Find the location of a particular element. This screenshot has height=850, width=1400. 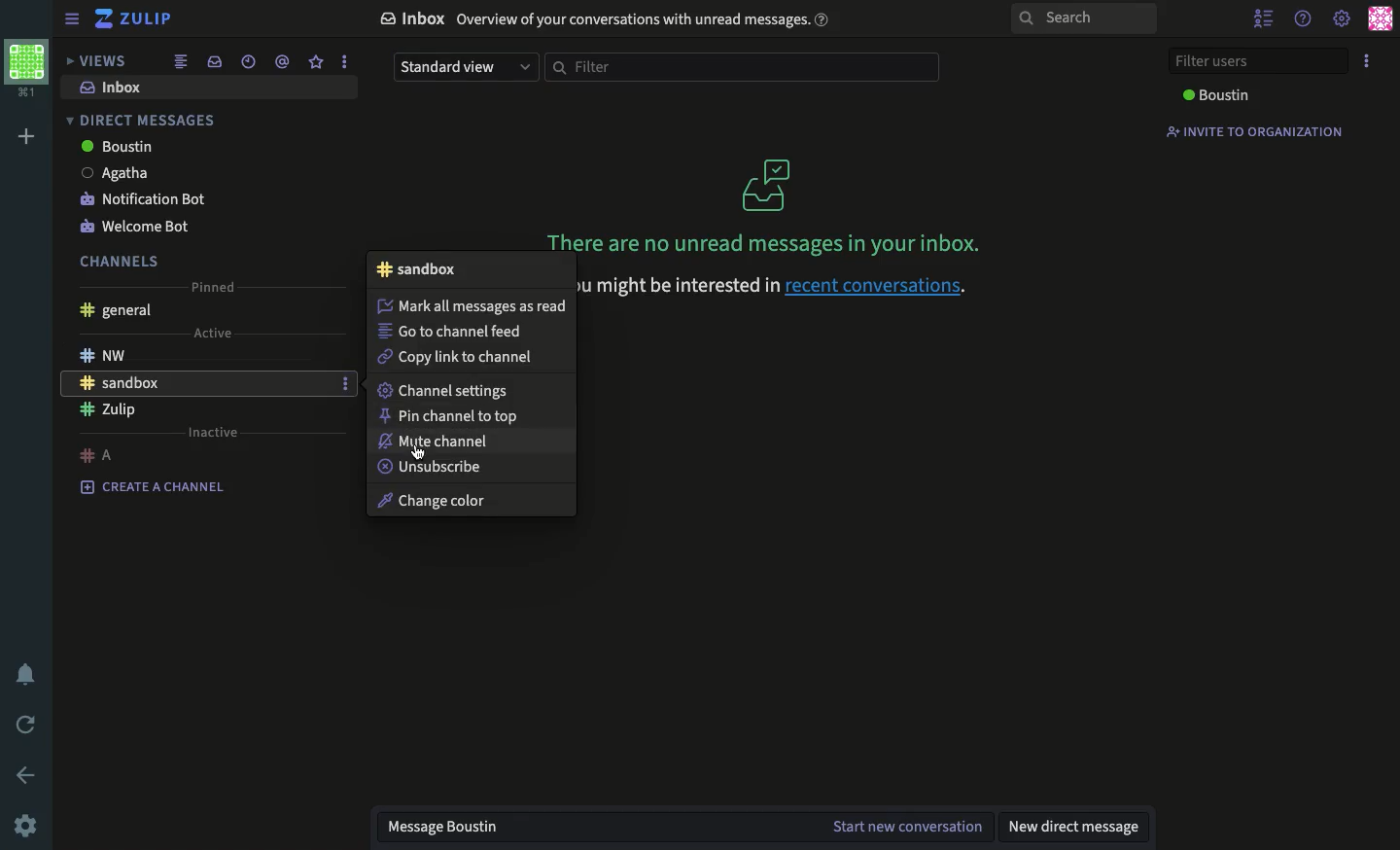

workspace is located at coordinates (26, 69).